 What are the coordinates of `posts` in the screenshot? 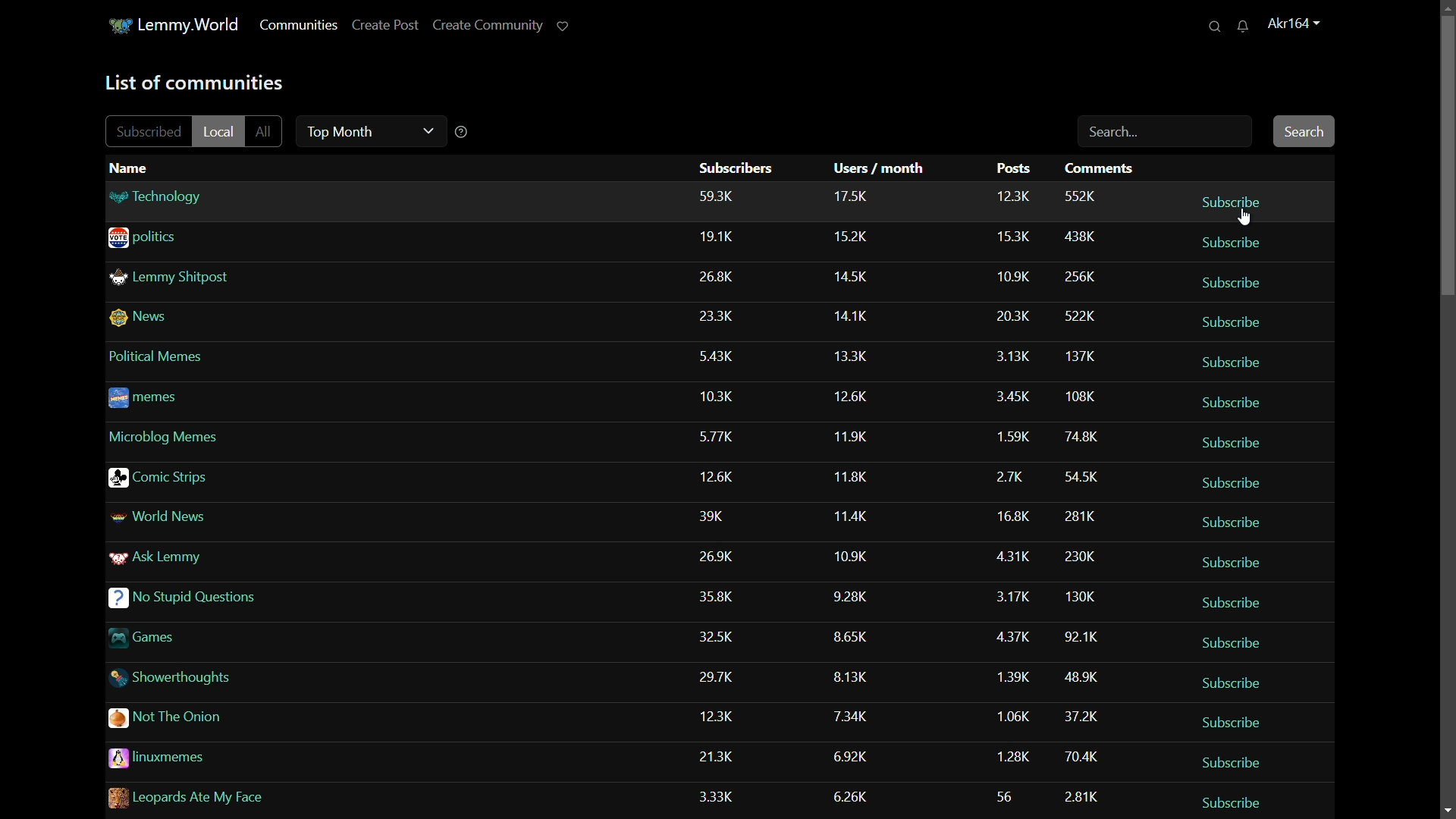 It's located at (1008, 677).